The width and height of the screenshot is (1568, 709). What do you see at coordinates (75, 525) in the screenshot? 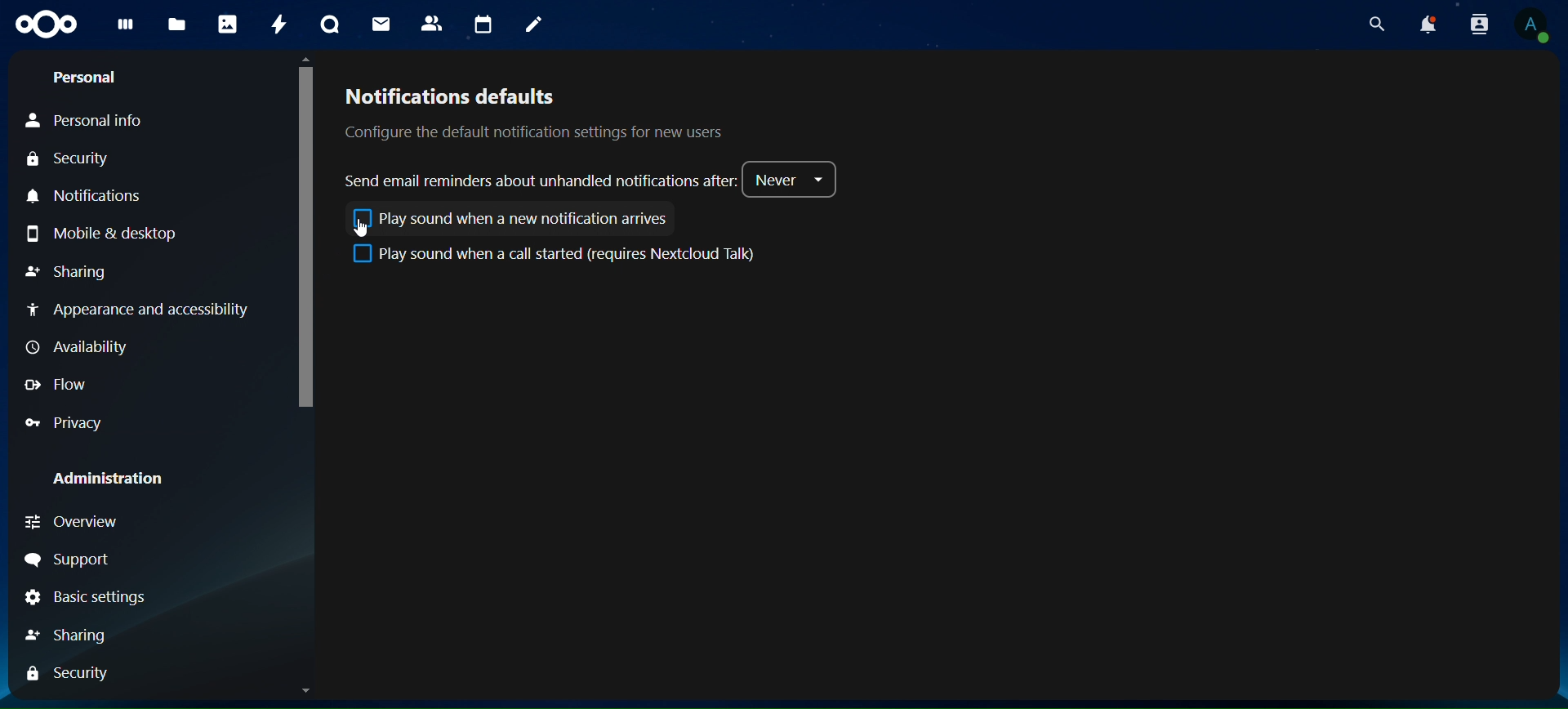
I see `Overview` at bounding box center [75, 525].